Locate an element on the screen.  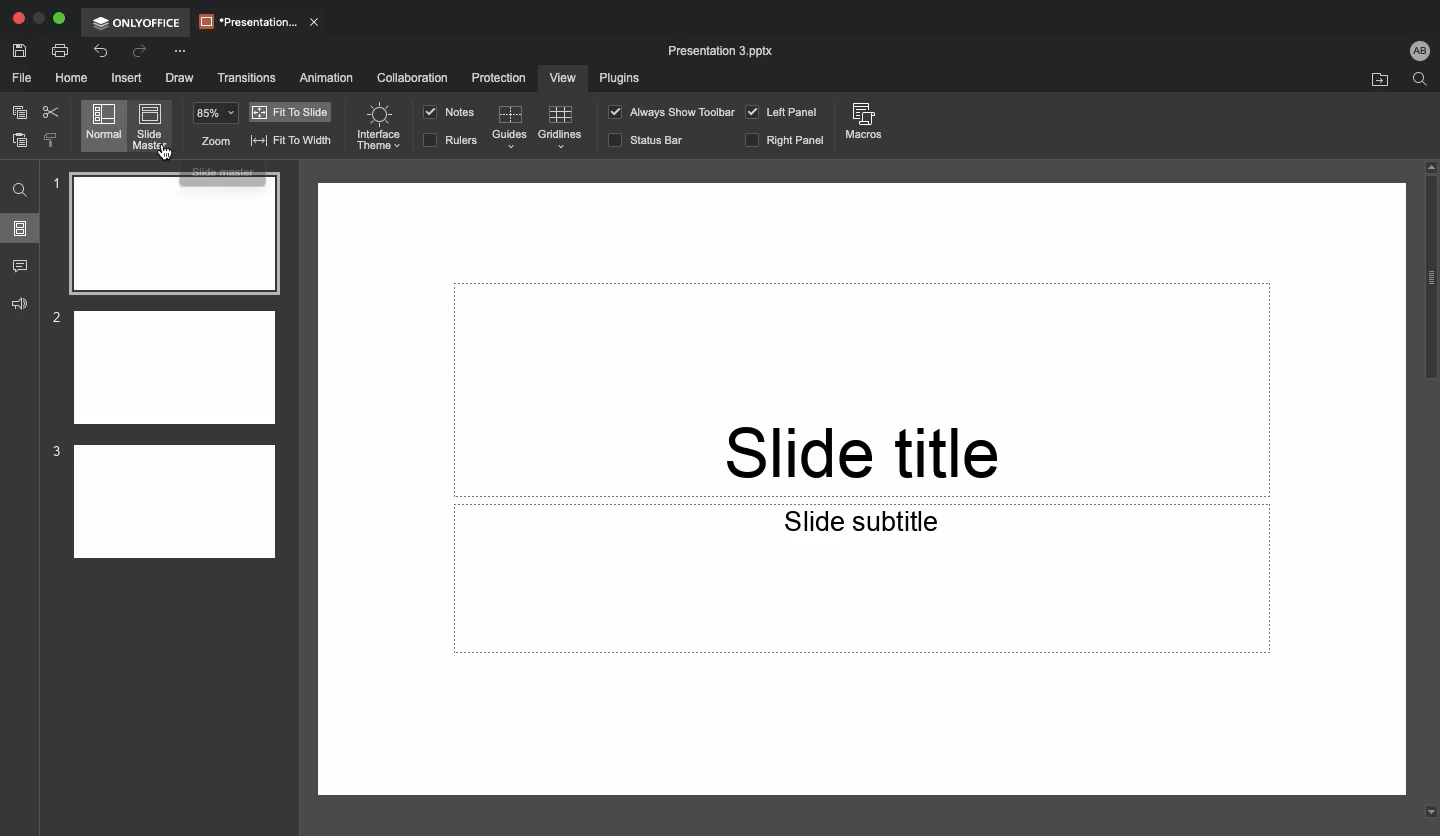
Slide title is located at coordinates (859, 389).